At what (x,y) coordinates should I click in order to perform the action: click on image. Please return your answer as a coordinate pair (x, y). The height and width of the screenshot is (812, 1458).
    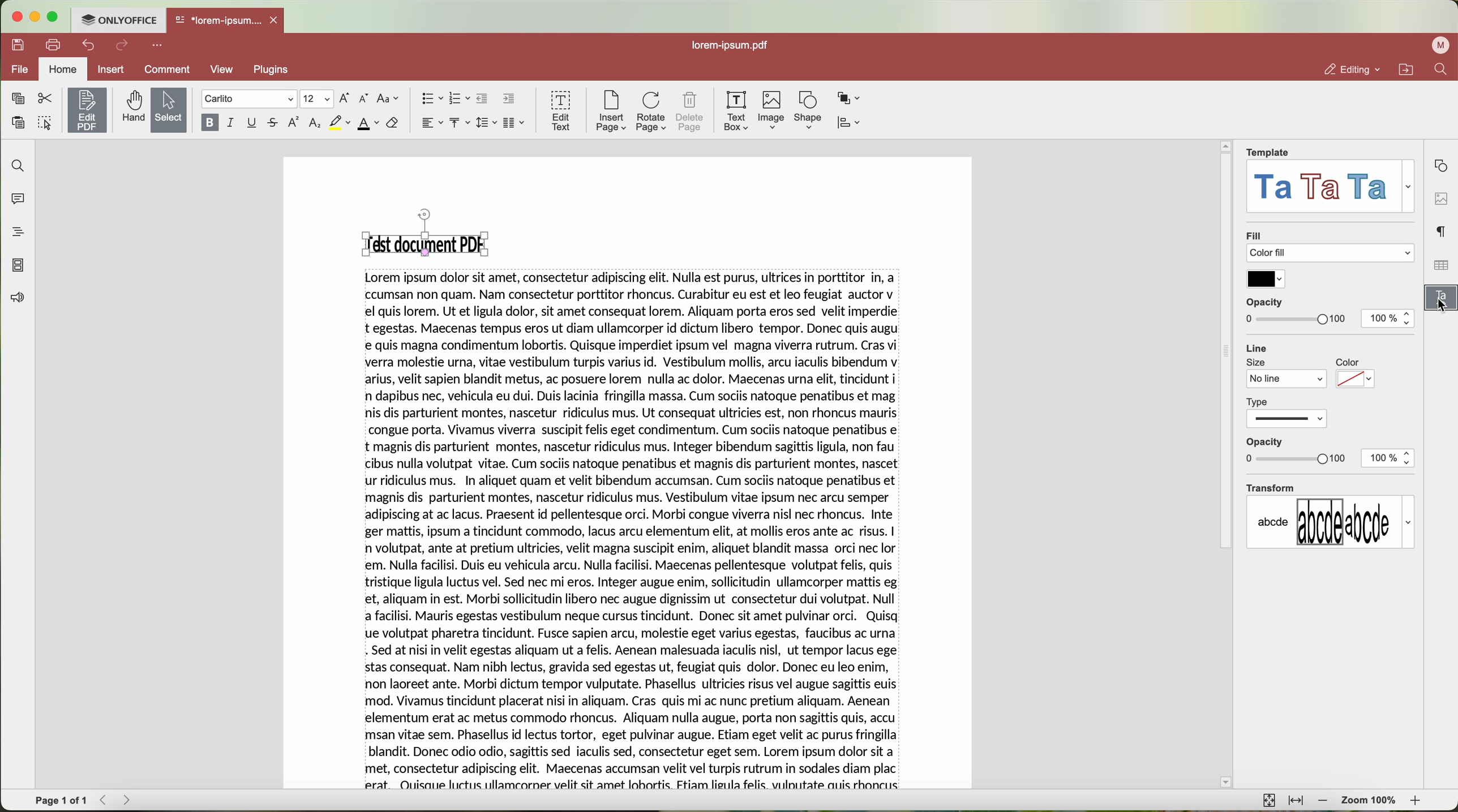
    Looking at the image, I should click on (773, 111).